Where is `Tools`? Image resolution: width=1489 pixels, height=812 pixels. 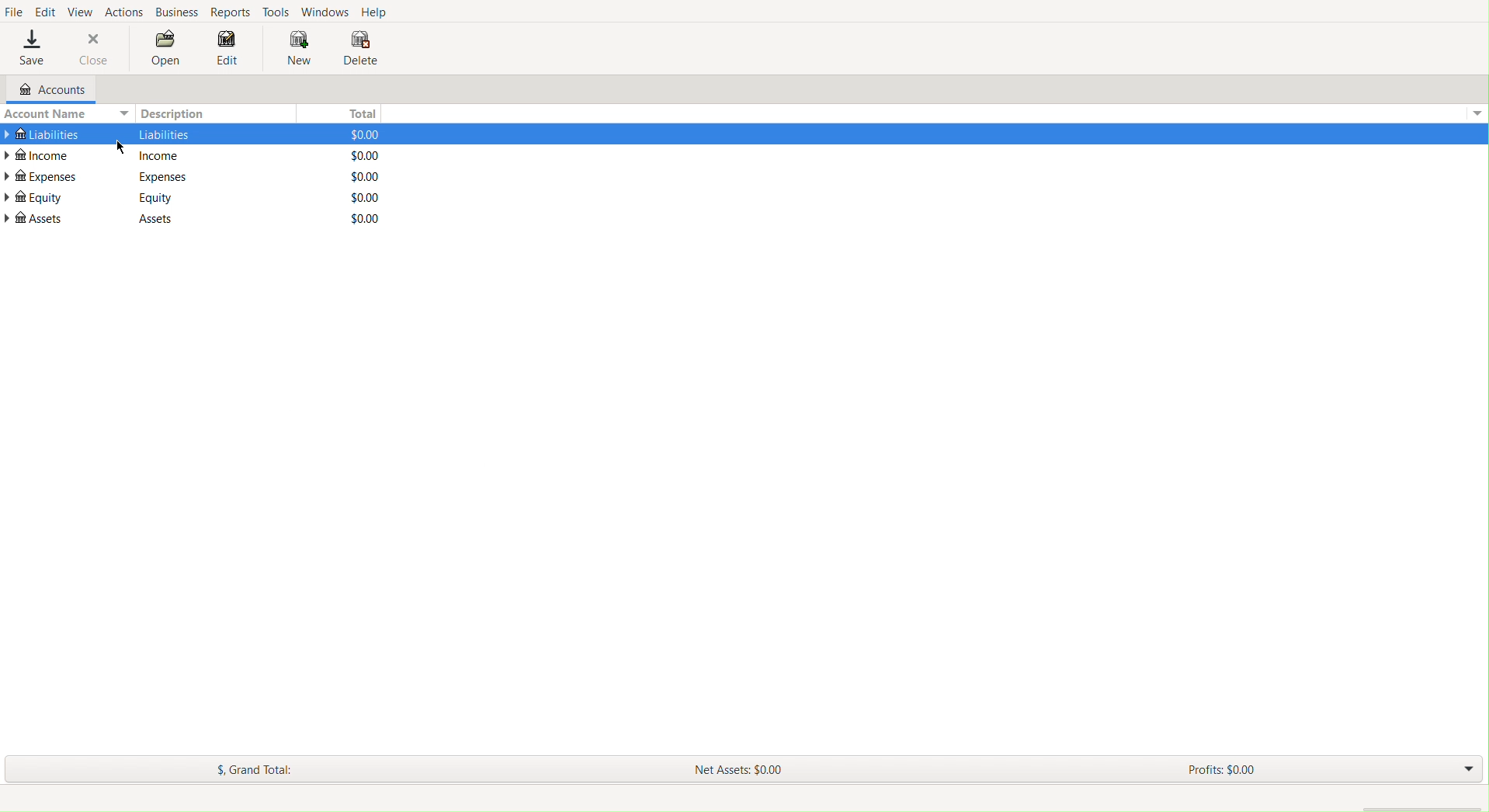
Tools is located at coordinates (277, 11).